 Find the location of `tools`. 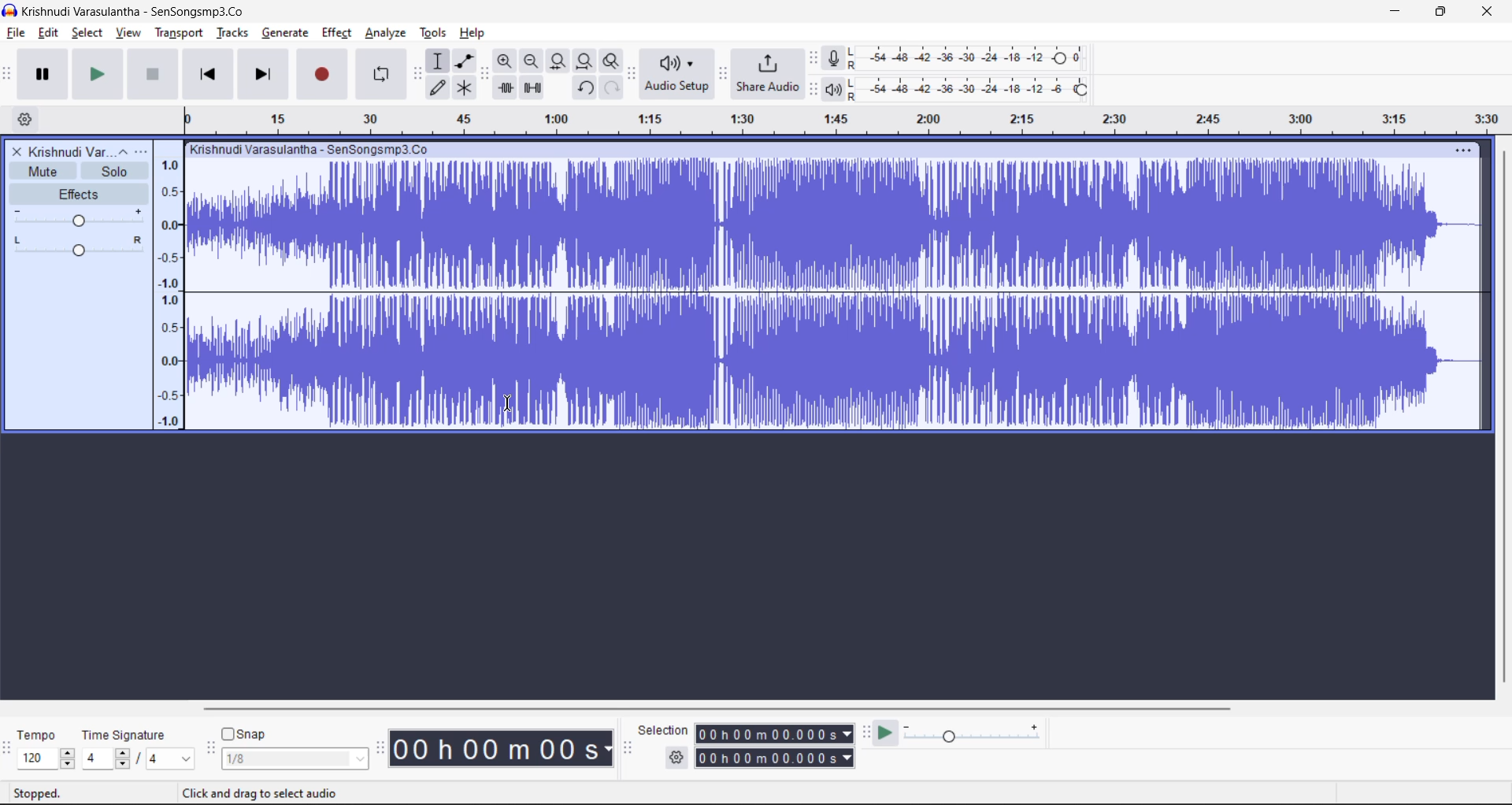

tools is located at coordinates (435, 33).